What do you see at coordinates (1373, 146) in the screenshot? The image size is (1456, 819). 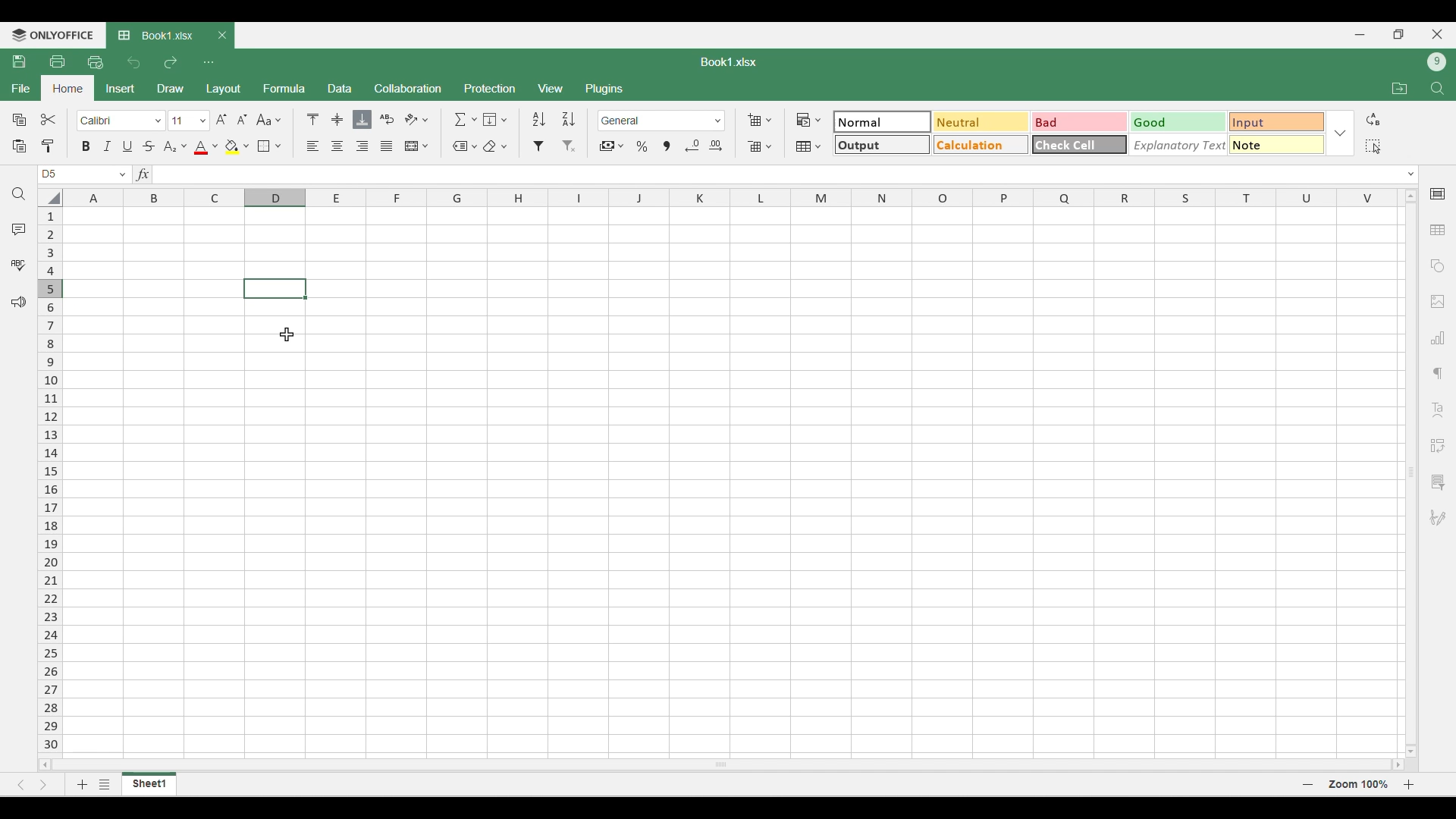 I see `Select all` at bounding box center [1373, 146].